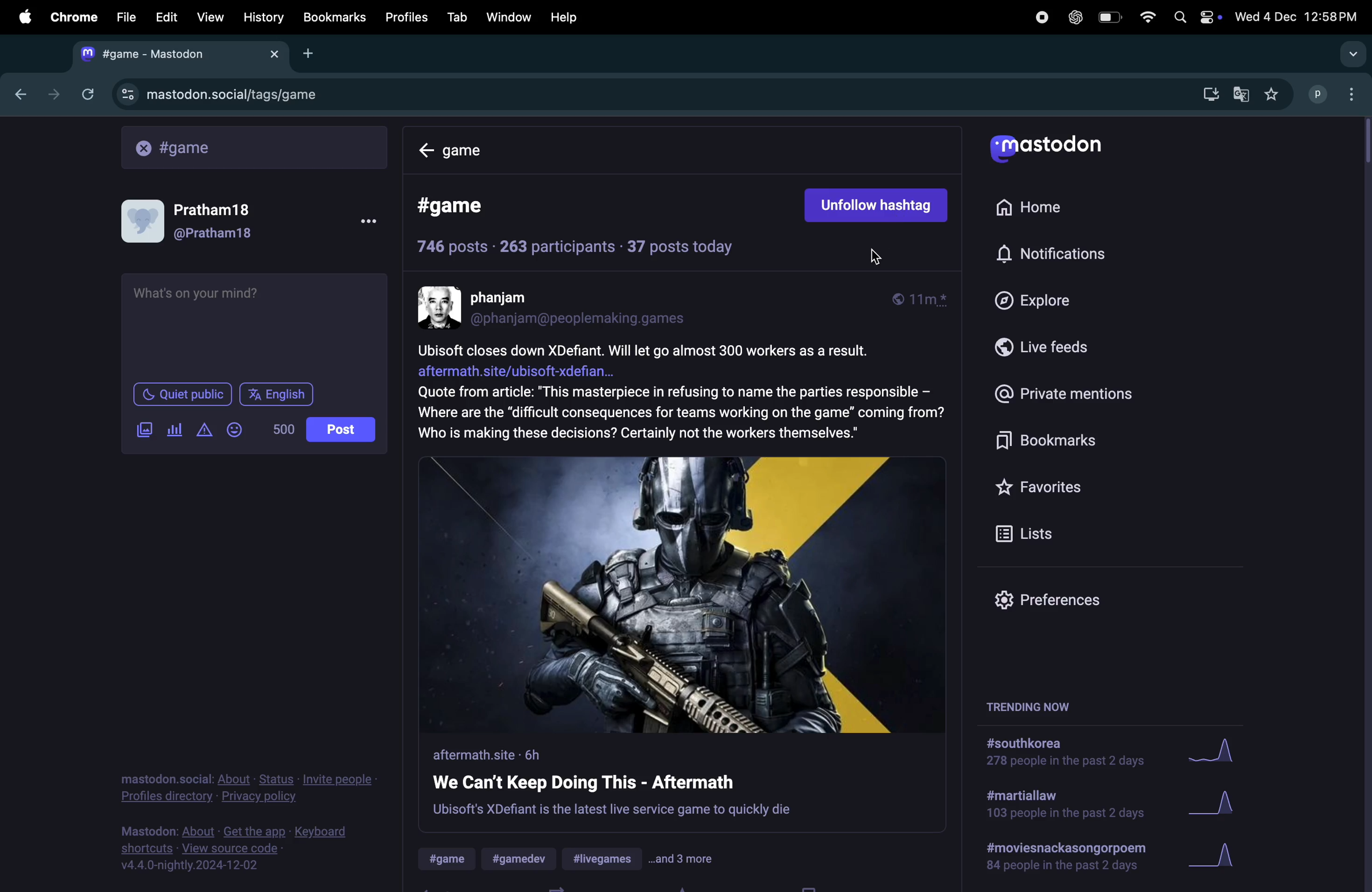 Image resolution: width=1372 pixels, height=892 pixels. What do you see at coordinates (210, 16) in the screenshot?
I see `View` at bounding box center [210, 16].